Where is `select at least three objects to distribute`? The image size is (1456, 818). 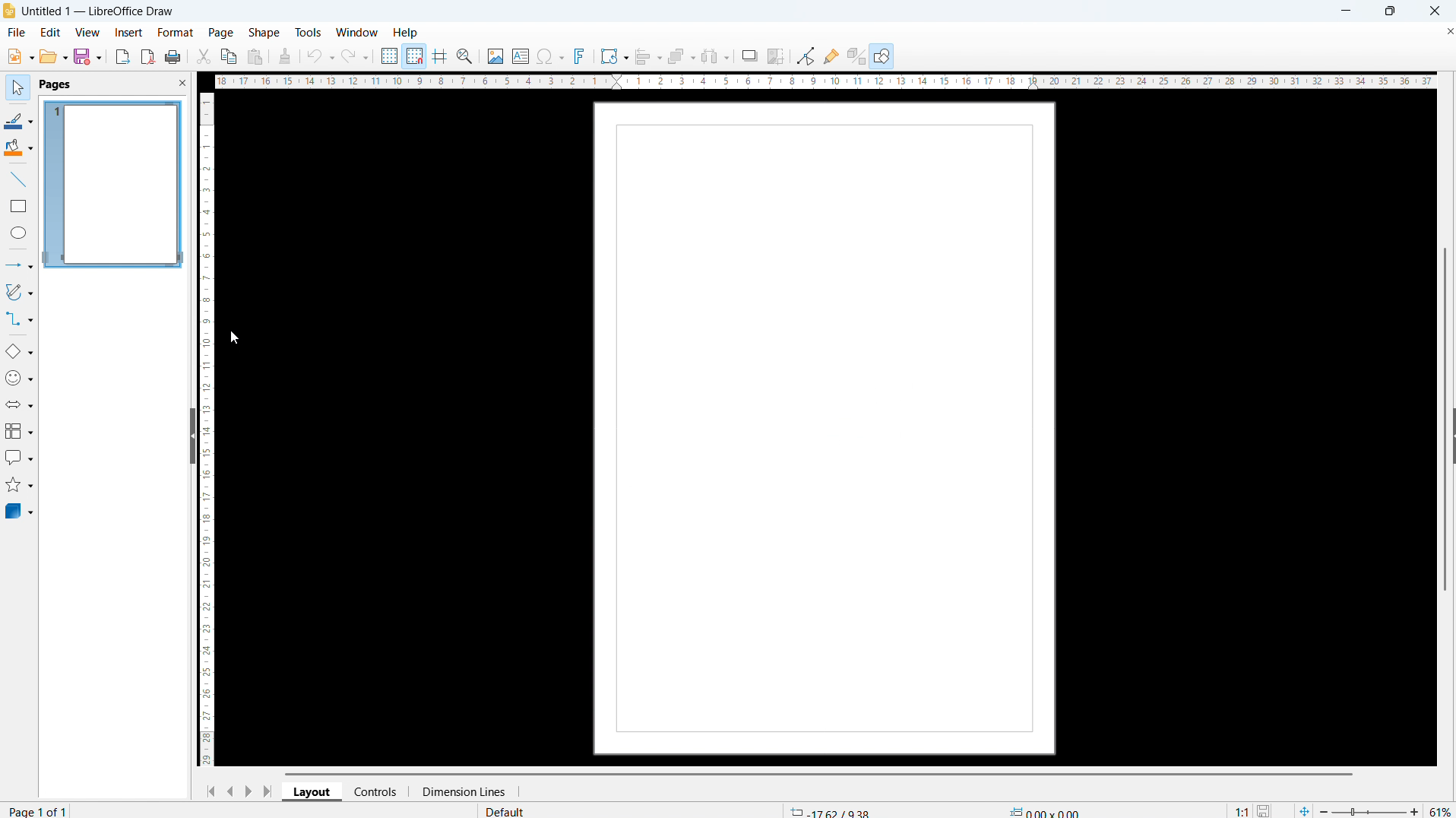
select at least three objects to distribute is located at coordinates (716, 57).